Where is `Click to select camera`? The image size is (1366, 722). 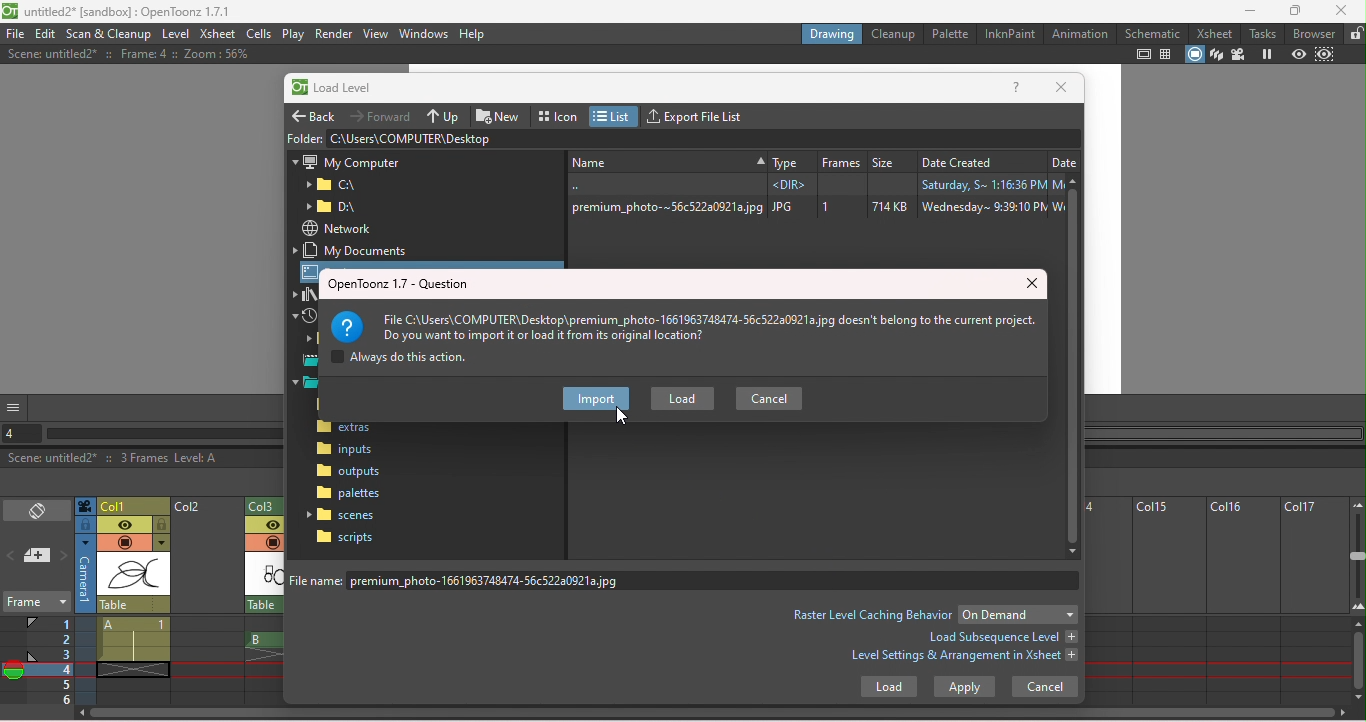
Click to select camera is located at coordinates (86, 574).